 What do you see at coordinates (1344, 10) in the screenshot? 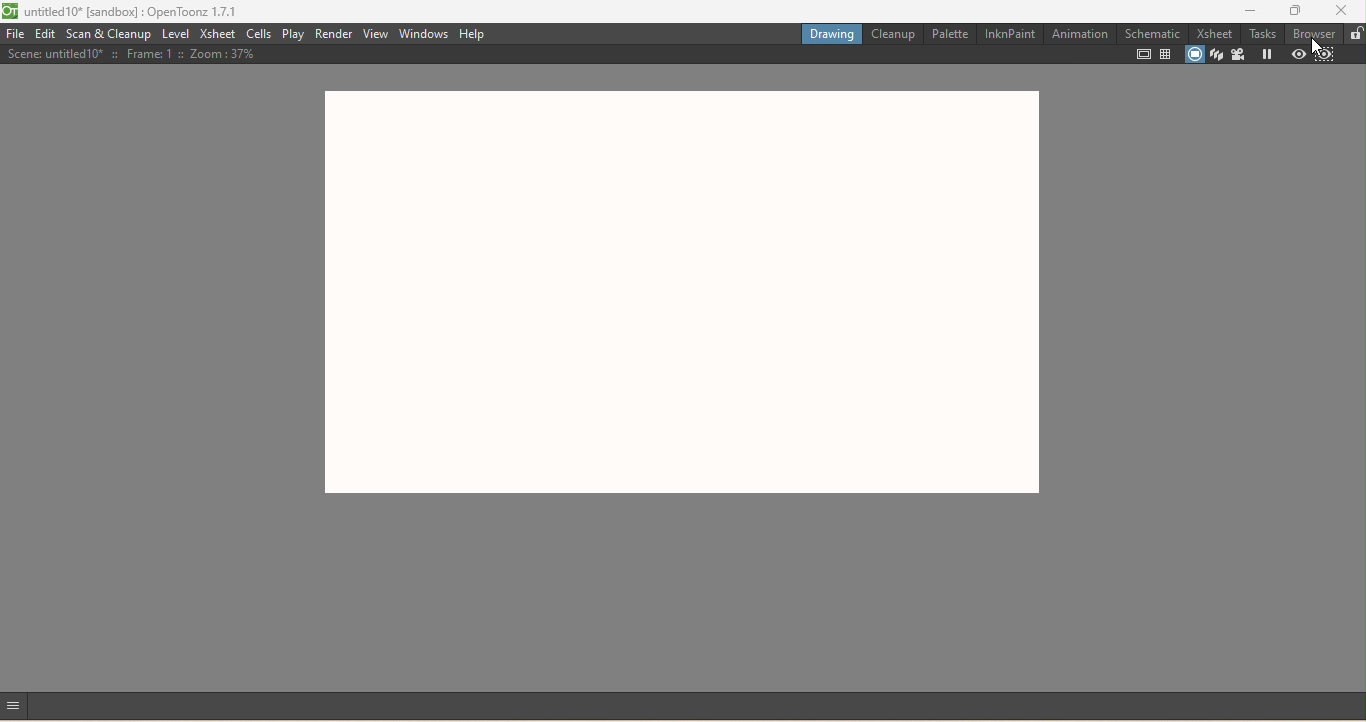
I see `Close` at bounding box center [1344, 10].